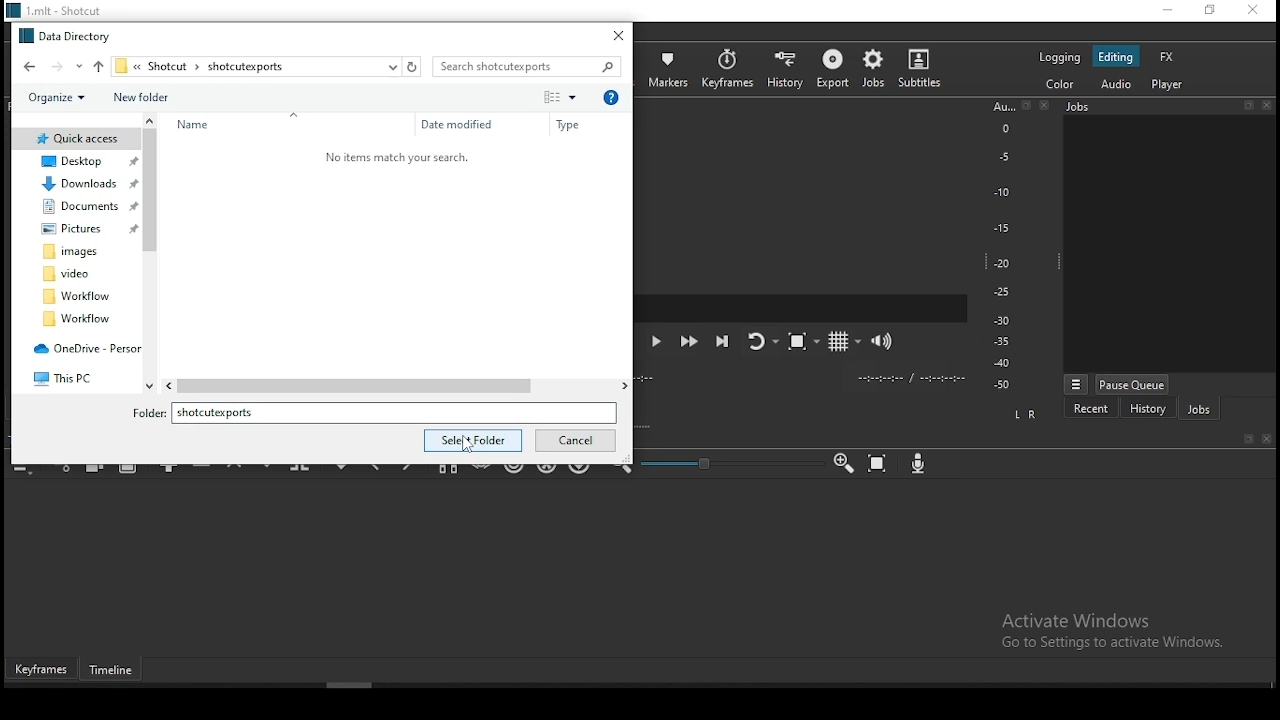 This screenshot has height=720, width=1280. What do you see at coordinates (532, 67) in the screenshot?
I see `search` at bounding box center [532, 67].